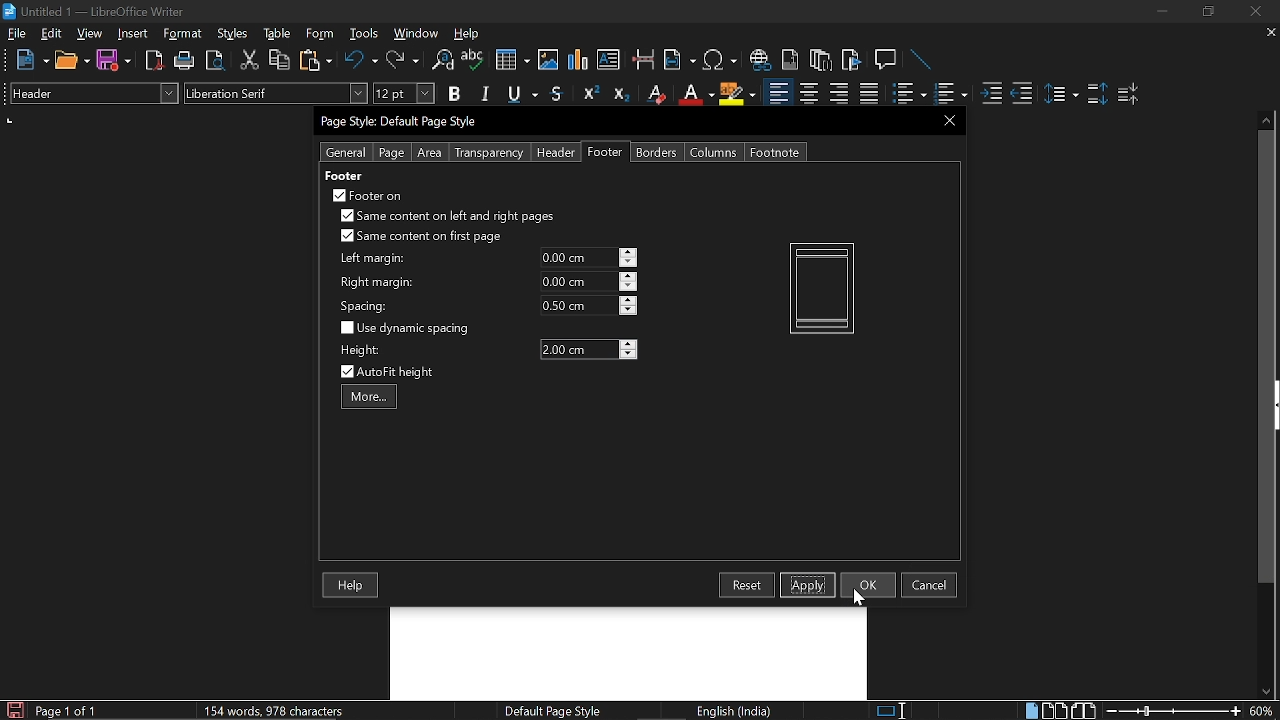  I want to click on Apply, so click(808, 584).